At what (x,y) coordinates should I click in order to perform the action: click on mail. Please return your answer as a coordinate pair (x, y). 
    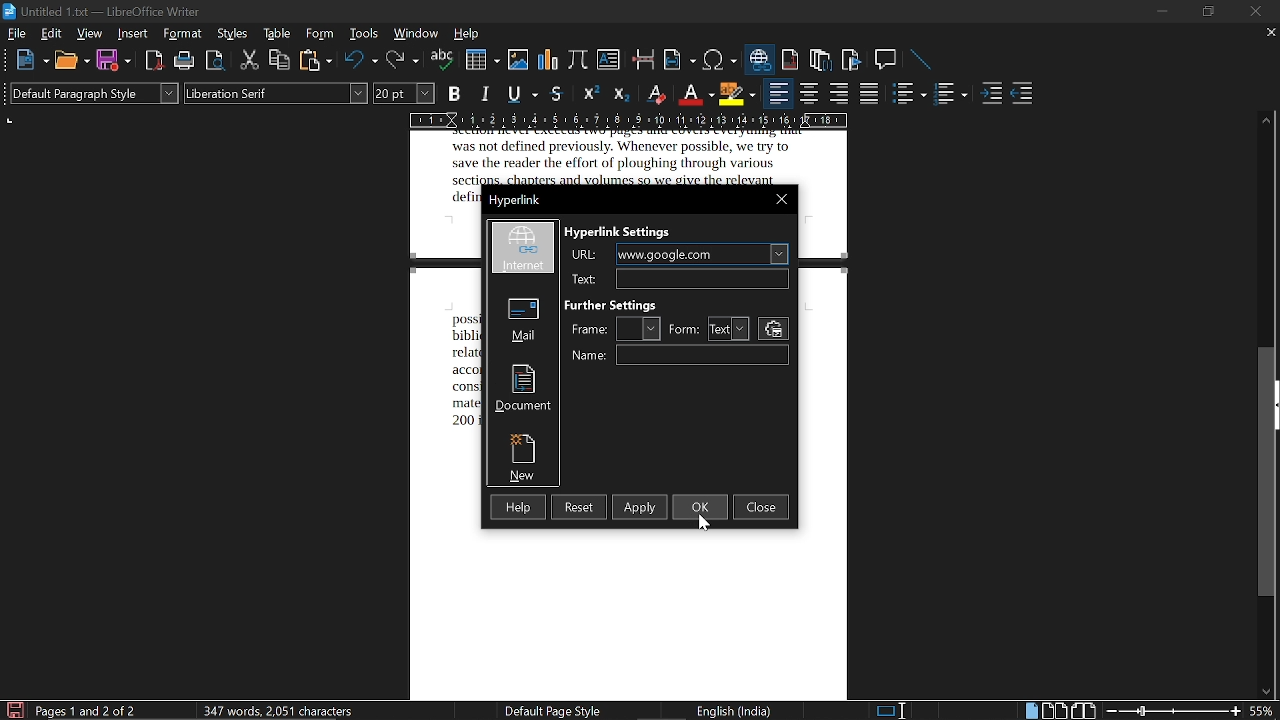
    Looking at the image, I should click on (522, 319).